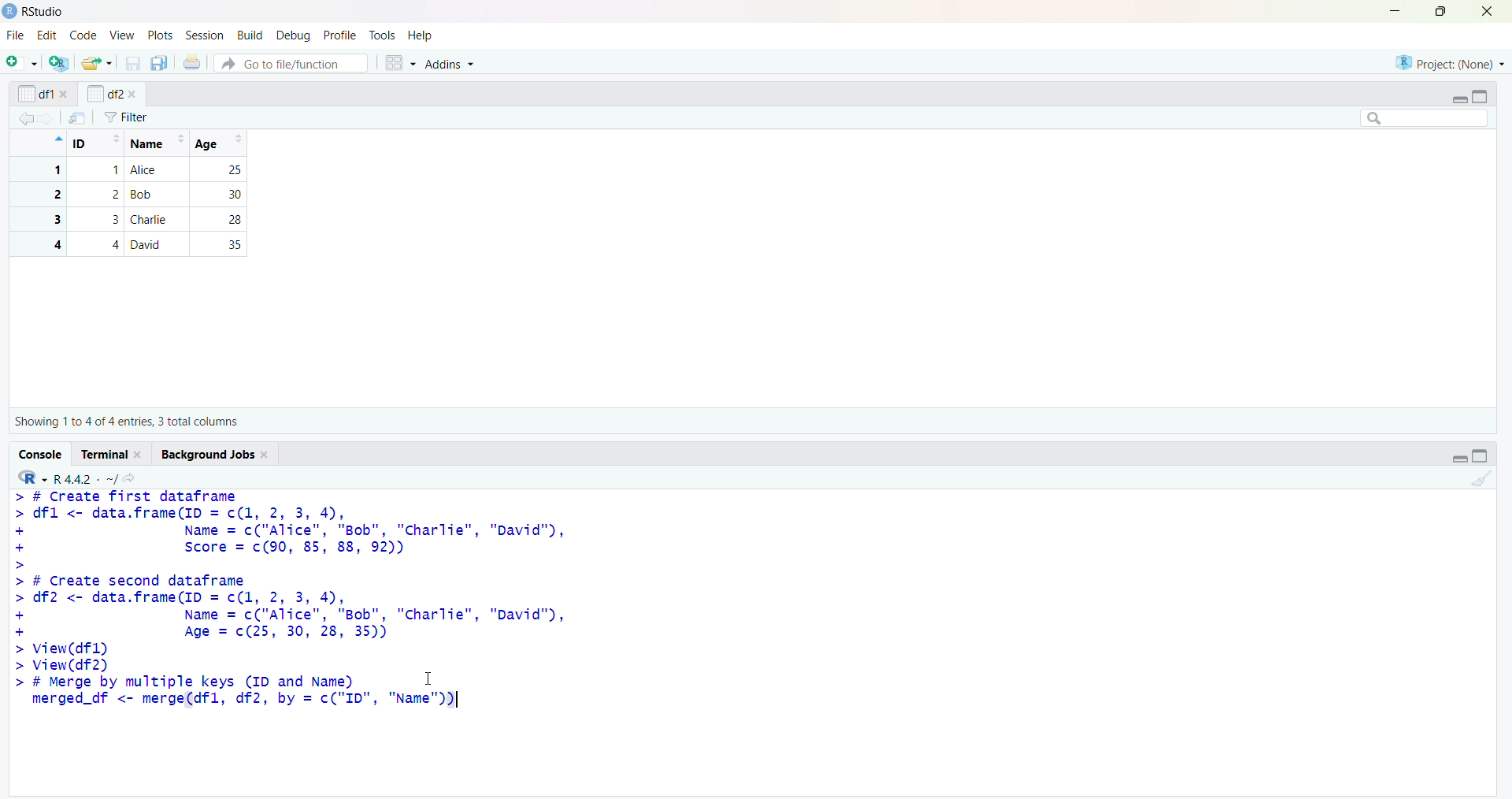 The width and height of the screenshot is (1512, 799). Describe the element at coordinates (267, 455) in the screenshot. I see `close` at that location.